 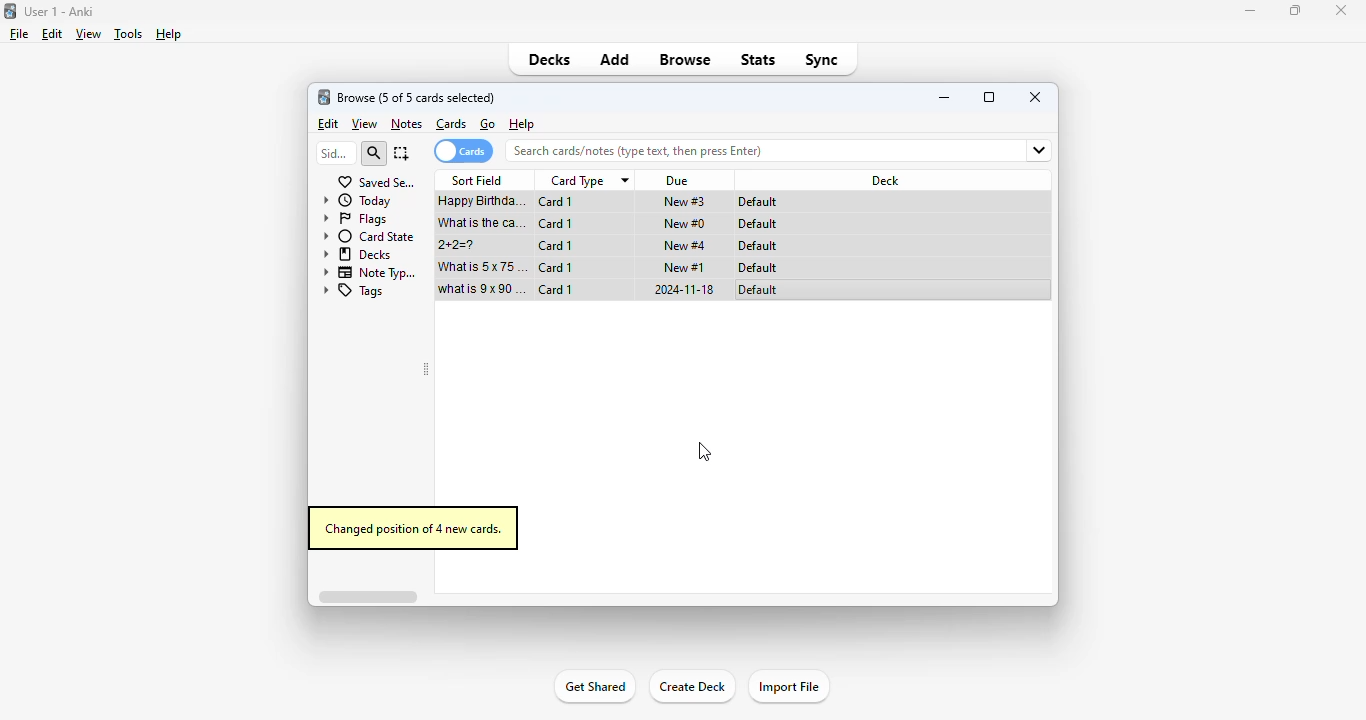 I want to click on import file, so click(x=789, y=686).